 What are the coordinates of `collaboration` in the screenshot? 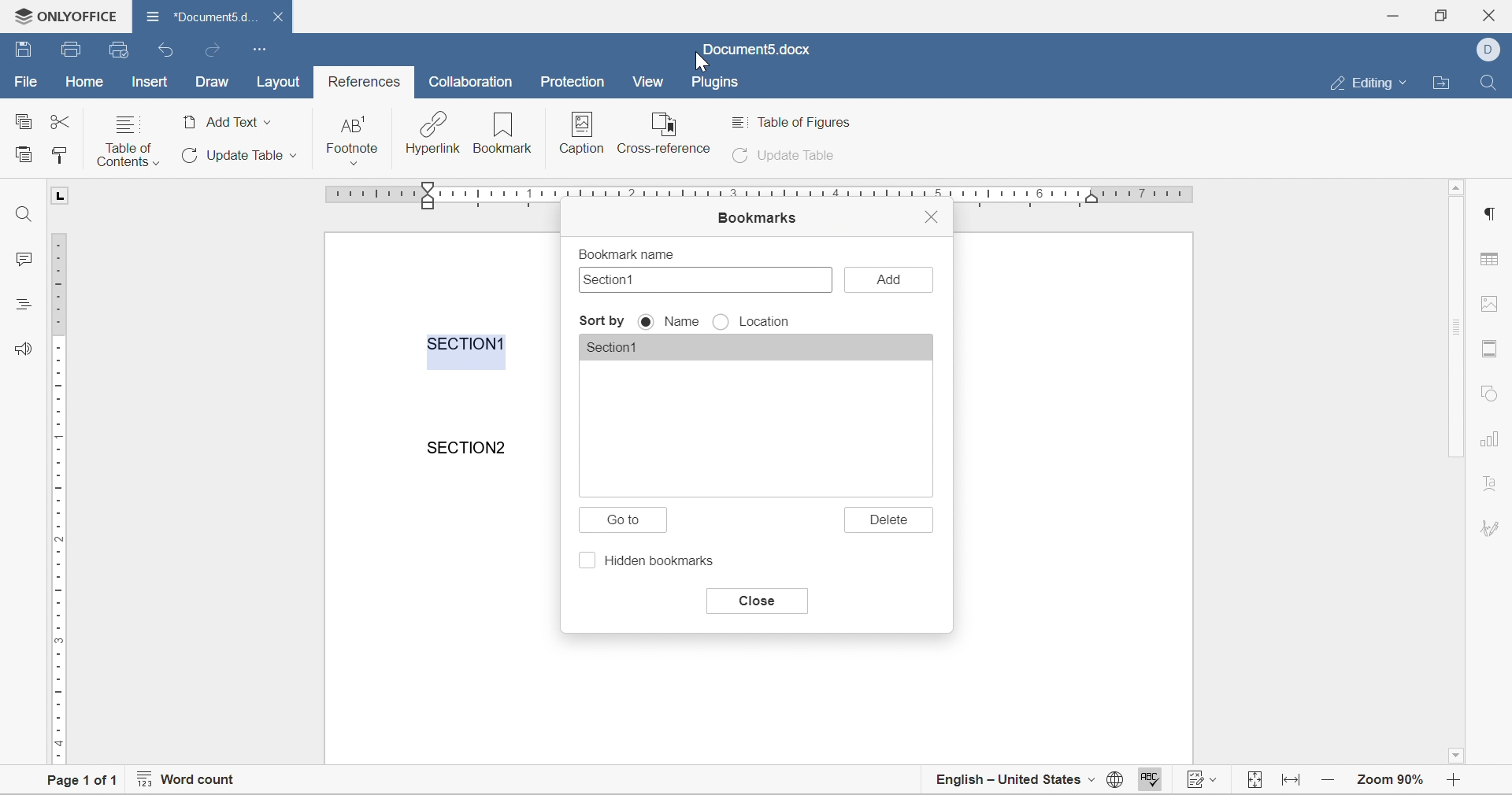 It's located at (473, 82).